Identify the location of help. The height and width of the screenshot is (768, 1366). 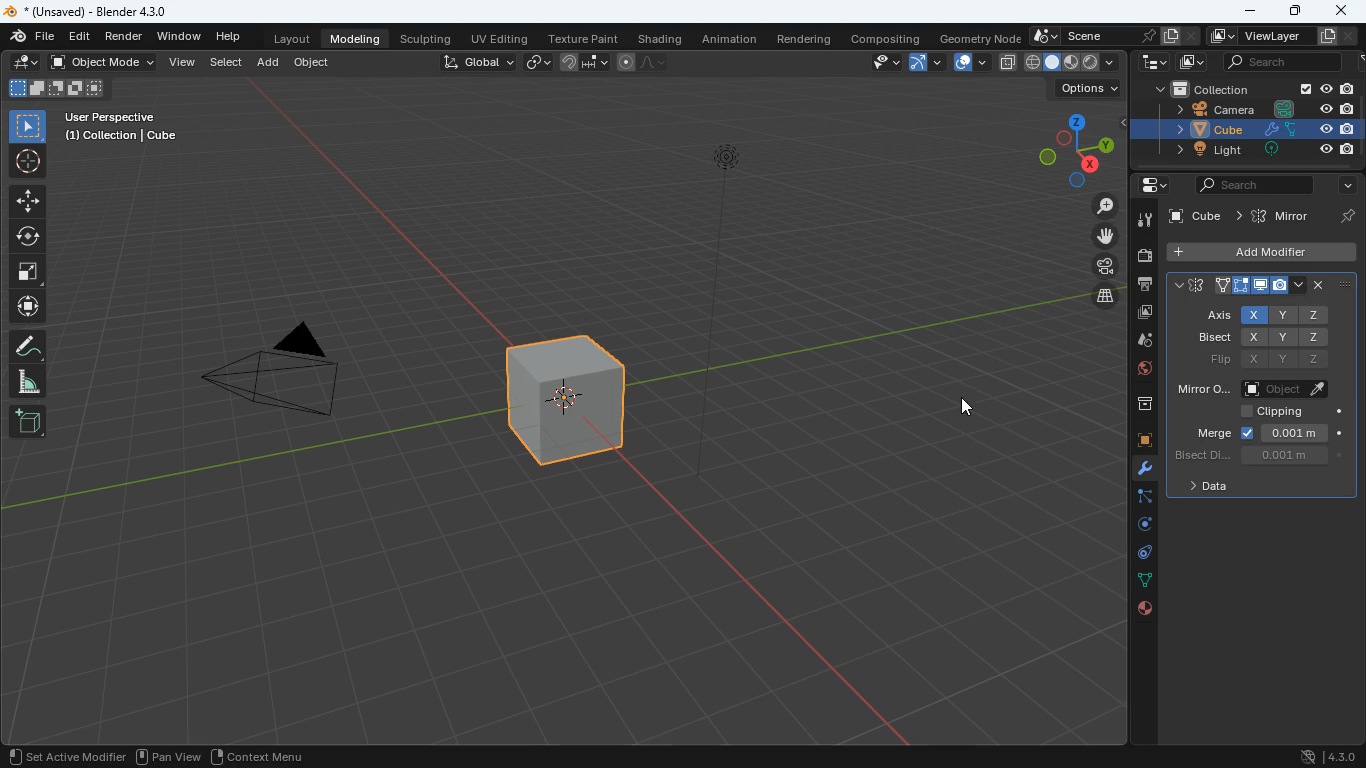
(227, 35).